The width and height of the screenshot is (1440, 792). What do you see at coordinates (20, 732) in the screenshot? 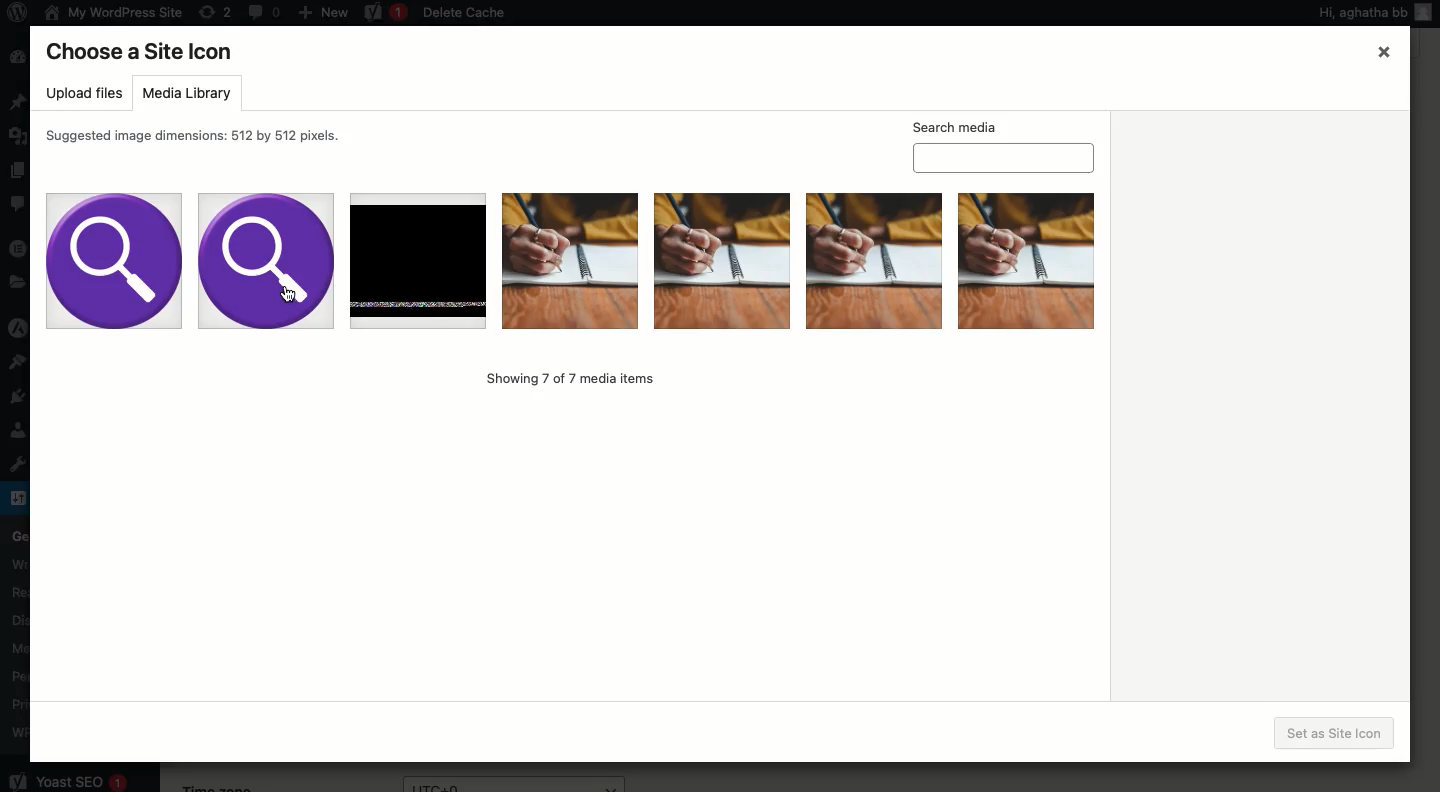
I see `WP Super Cache` at bounding box center [20, 732].